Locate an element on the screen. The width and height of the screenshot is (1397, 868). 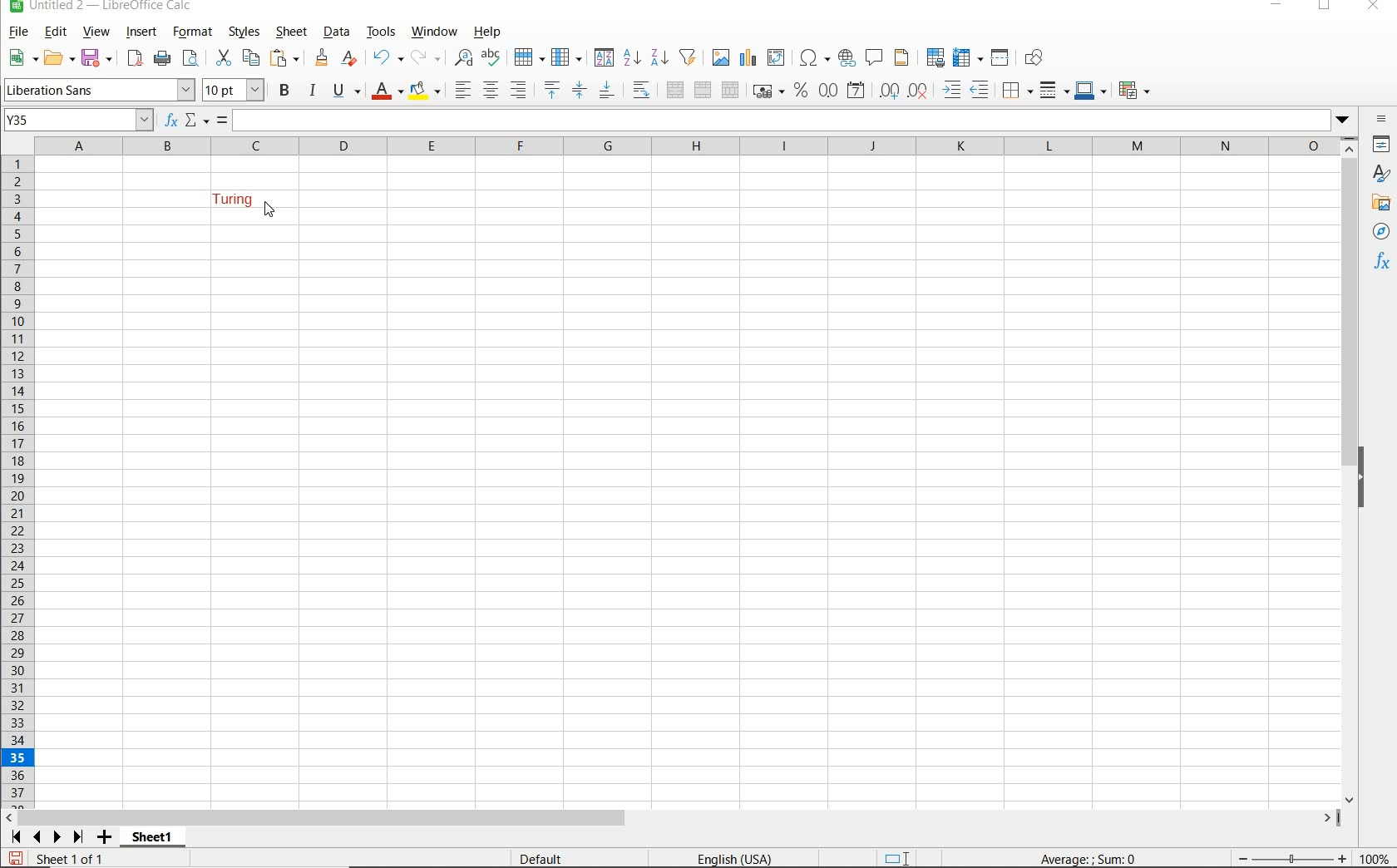
SHOW DRAW FUNCTIONS is located at coordinates (1033, 58).